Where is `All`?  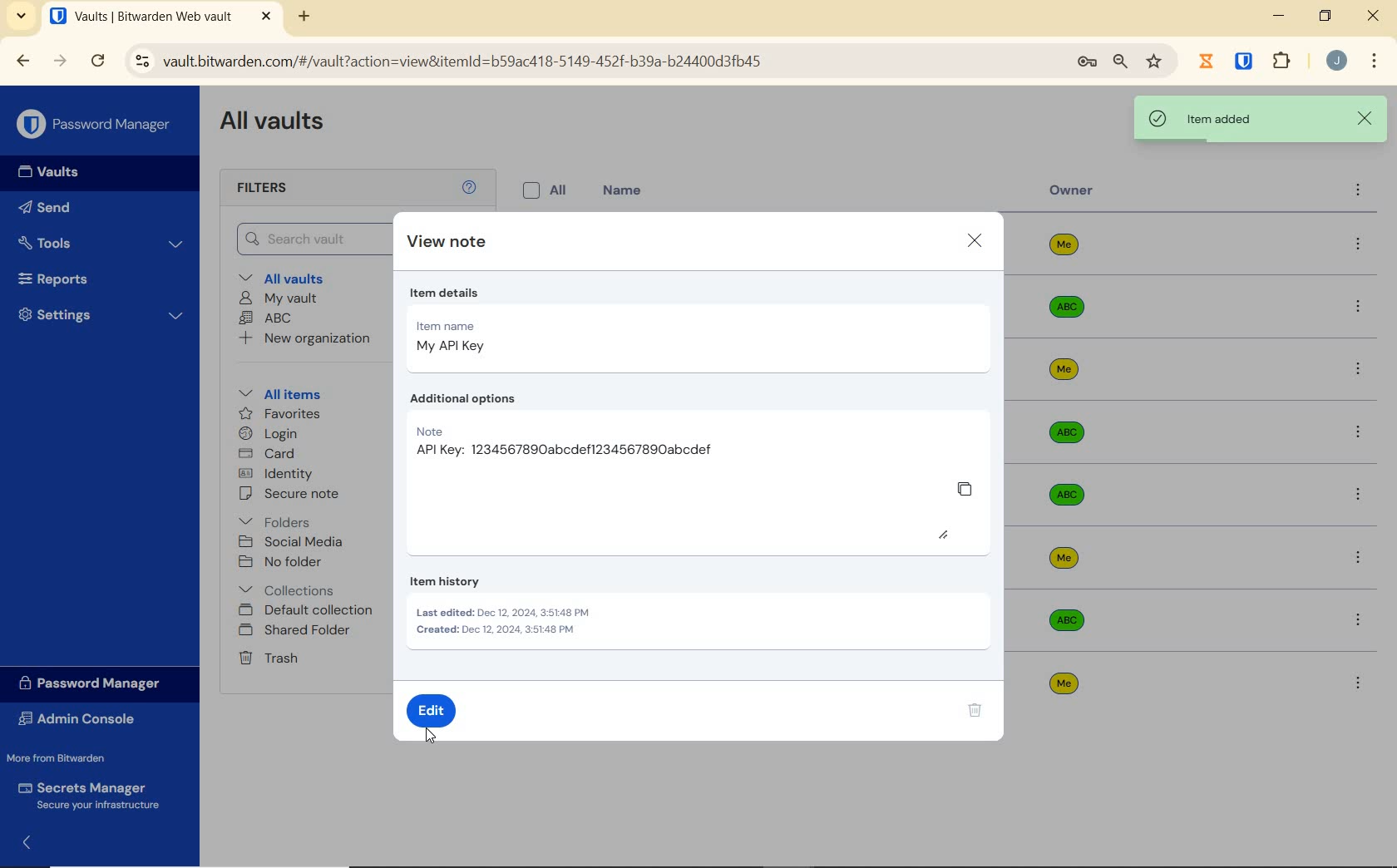
All is located at coordinates (548, 190).